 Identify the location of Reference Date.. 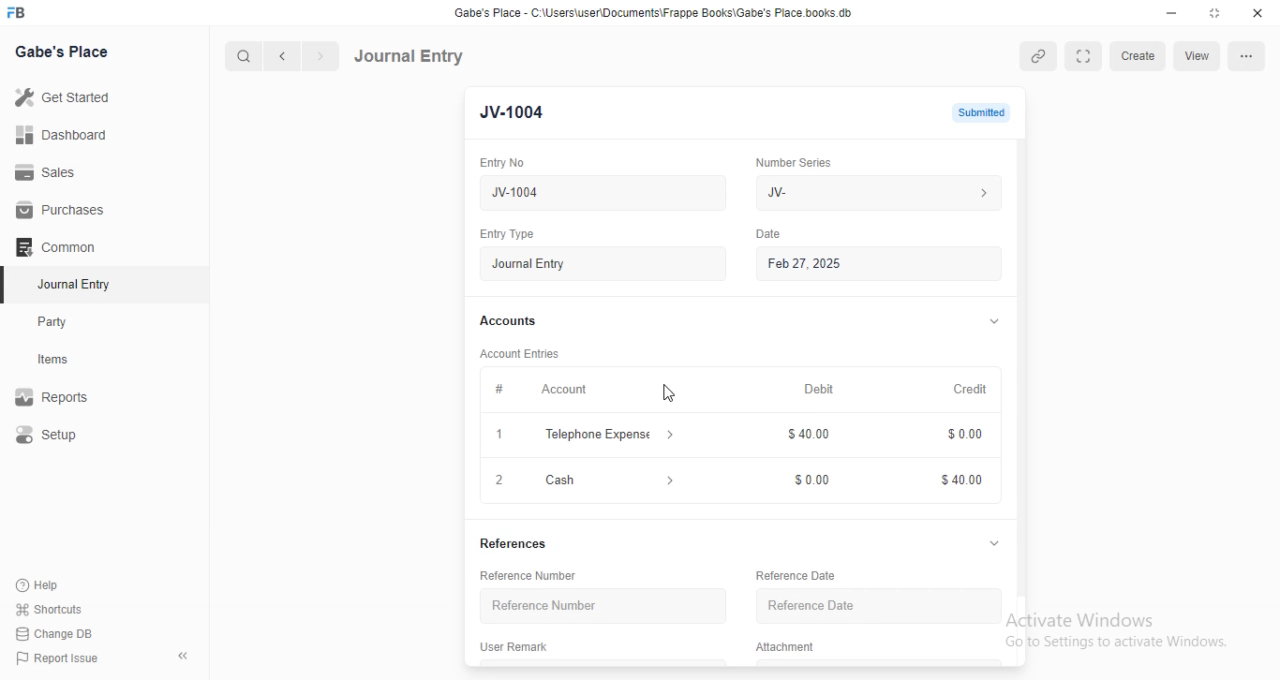
(814, 606).